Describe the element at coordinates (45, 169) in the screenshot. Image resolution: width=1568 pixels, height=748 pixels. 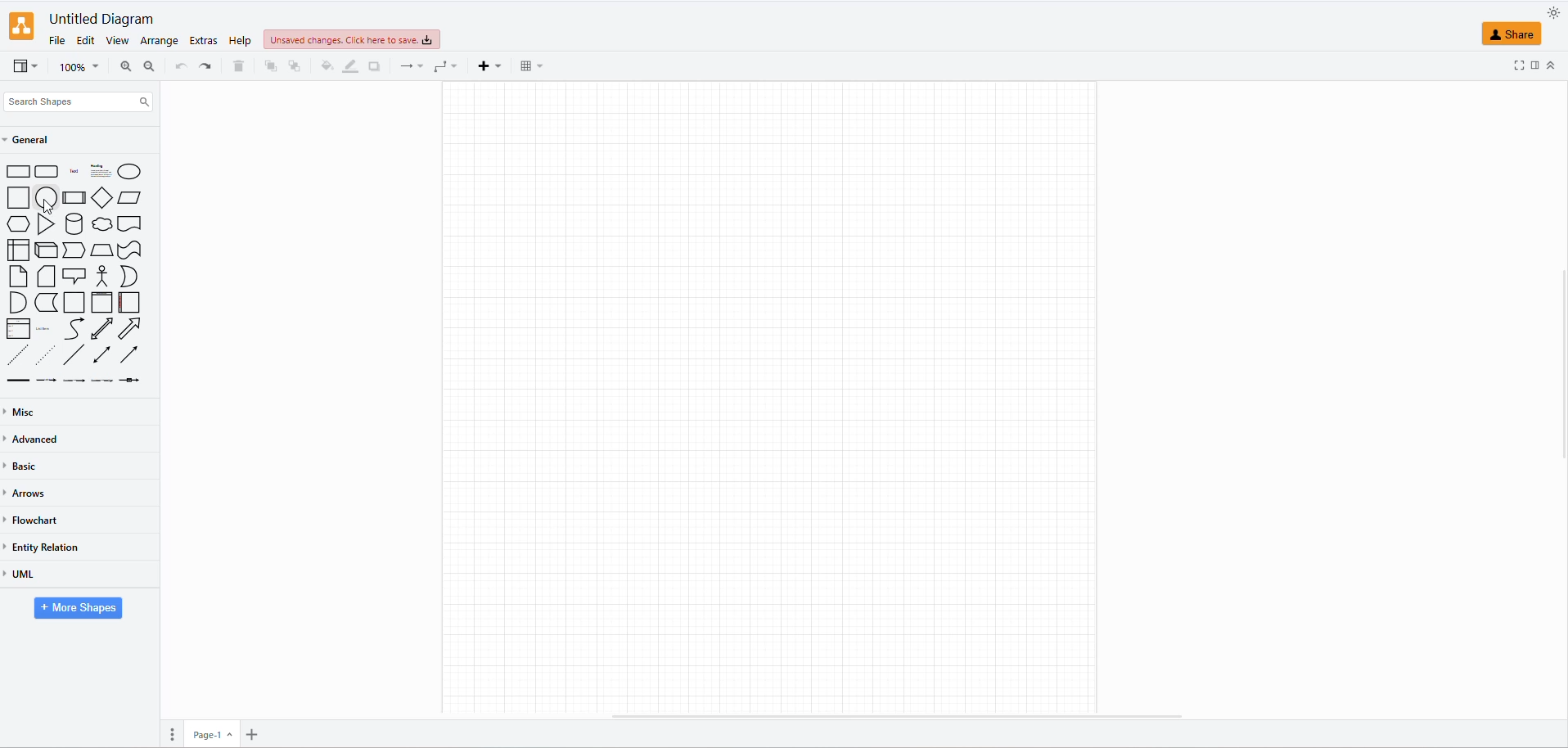
I see `ROUND RECTANGLE` at that location.